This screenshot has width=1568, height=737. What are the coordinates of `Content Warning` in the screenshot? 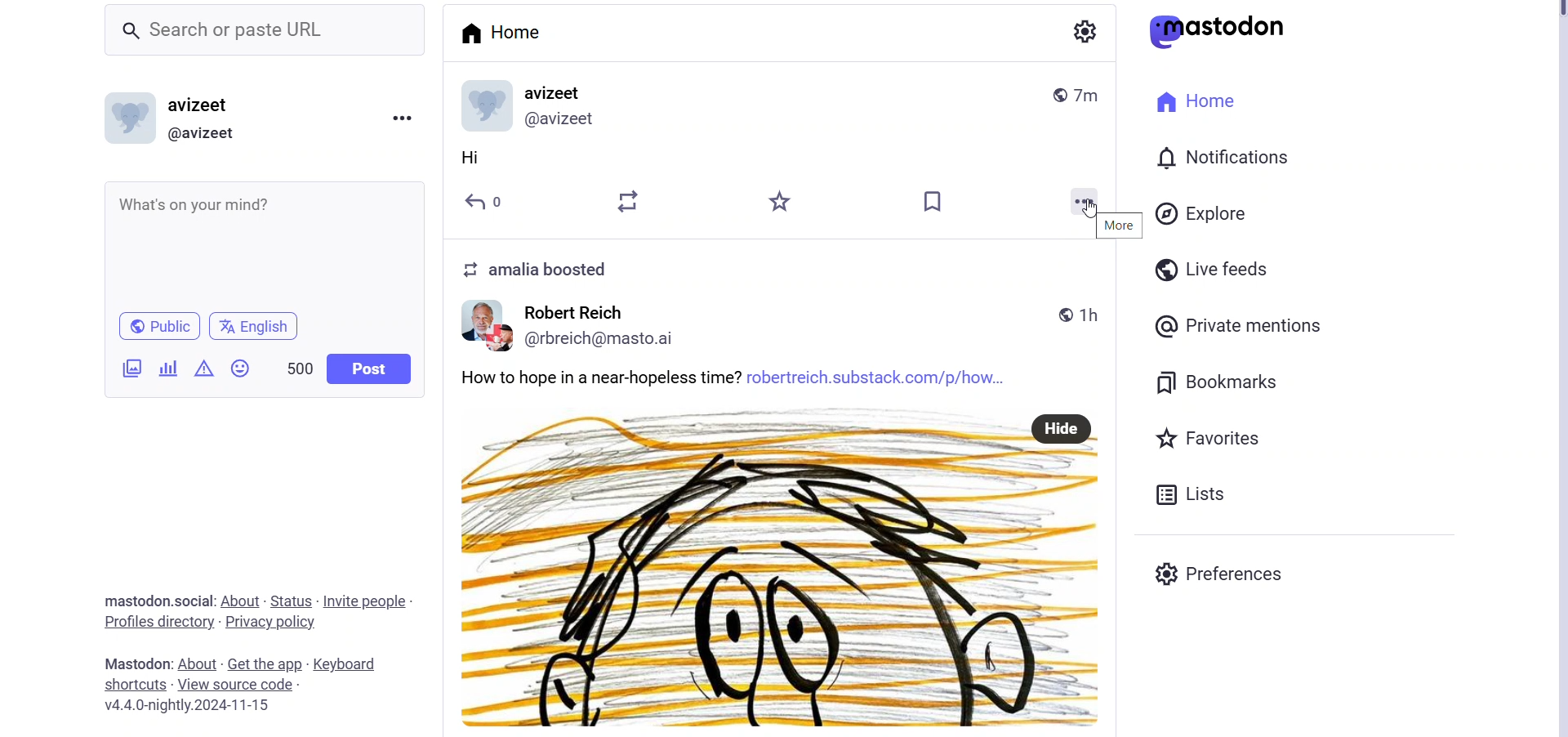 It's located at (205, 368).